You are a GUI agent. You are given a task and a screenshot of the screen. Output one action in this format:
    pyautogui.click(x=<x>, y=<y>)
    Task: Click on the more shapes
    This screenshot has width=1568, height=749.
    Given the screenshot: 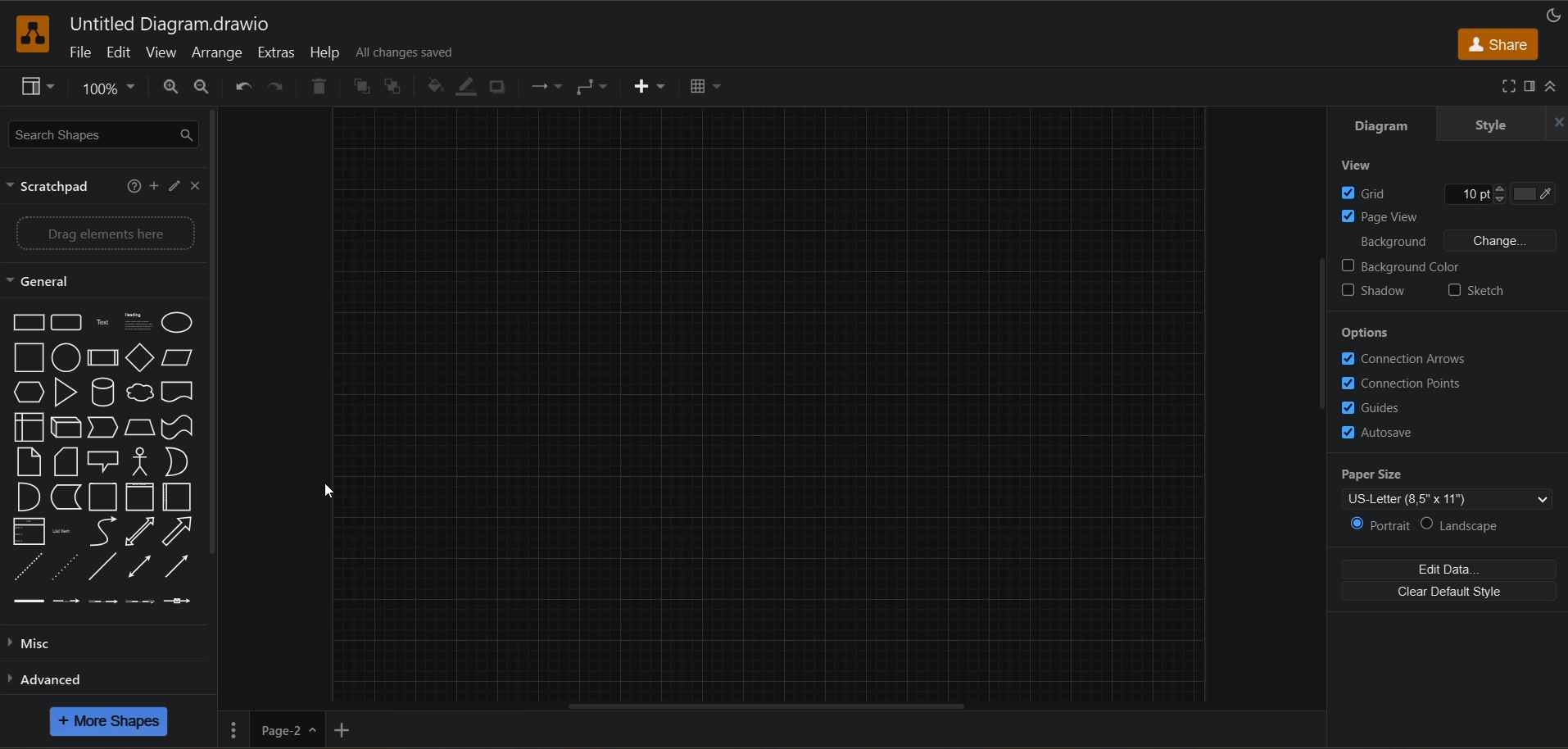 What is the action you would take?
    pyautogui.click(x=110, y=721)
    